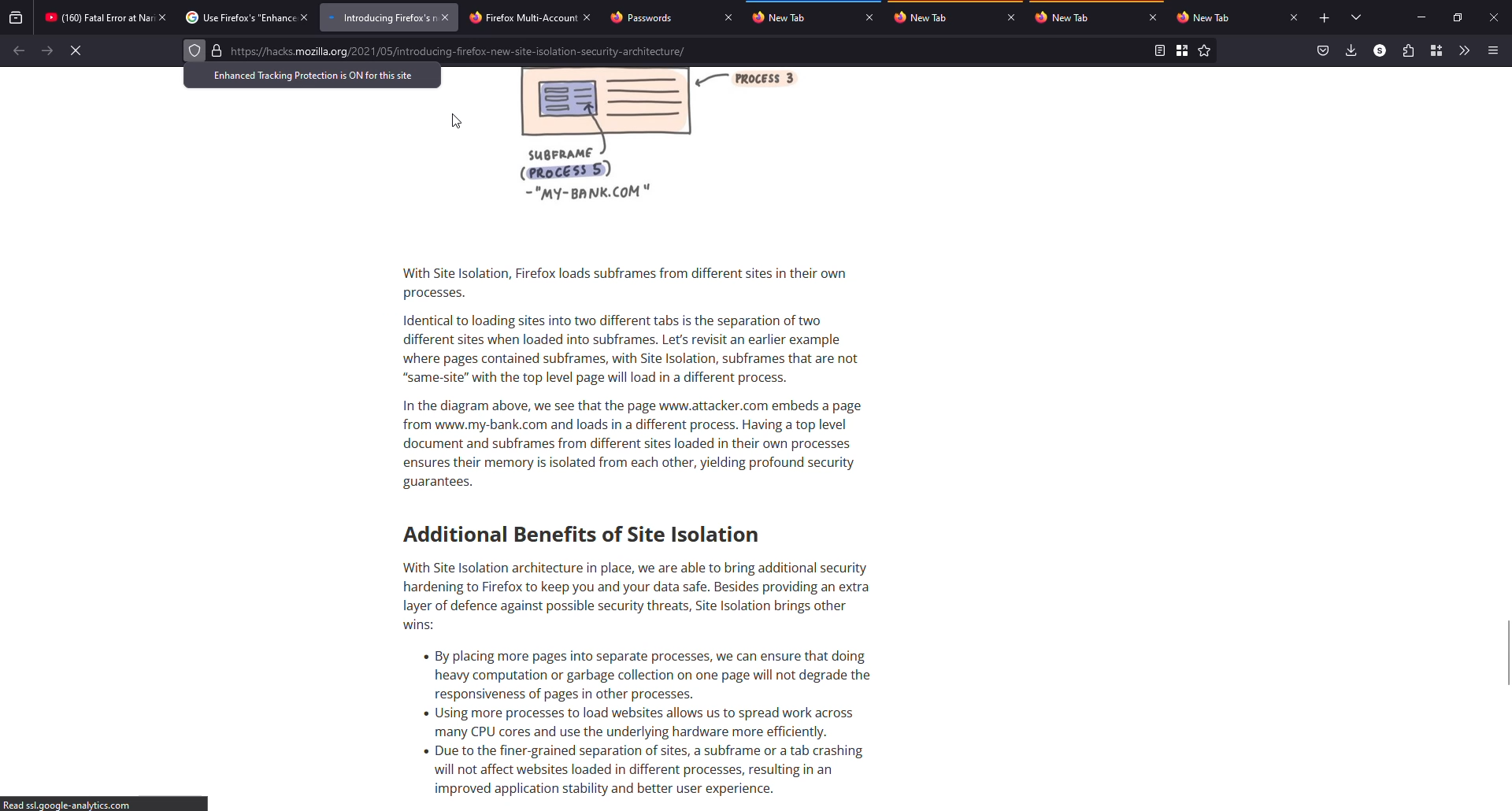 The width and height of the screenshot is (1512, 811). I want to click on forward, so click(47, 50).